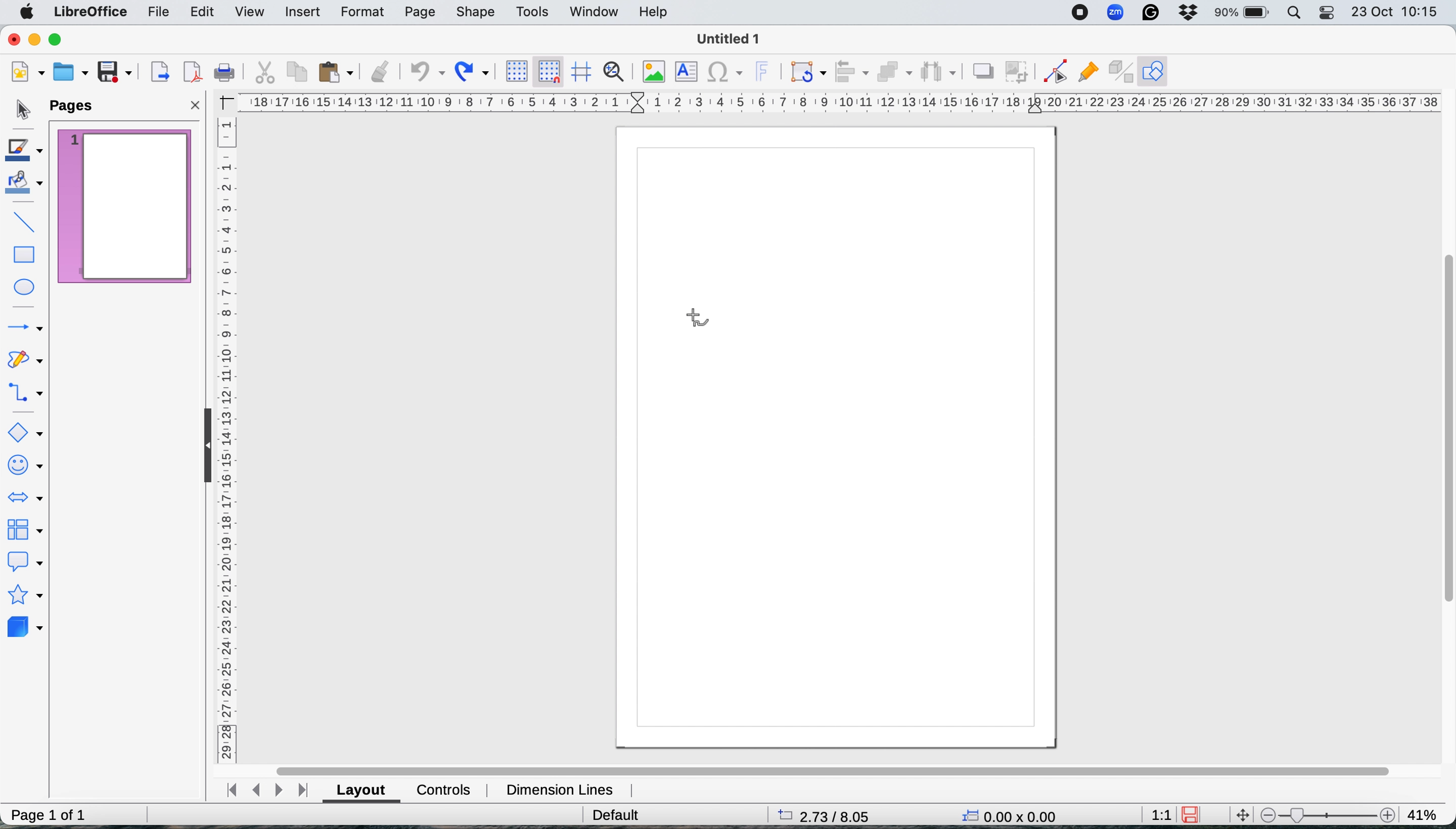  What do you see at coordinates (564, 788) in the screenshot?
I see `dimension lines` at bounding box center [564, 788].